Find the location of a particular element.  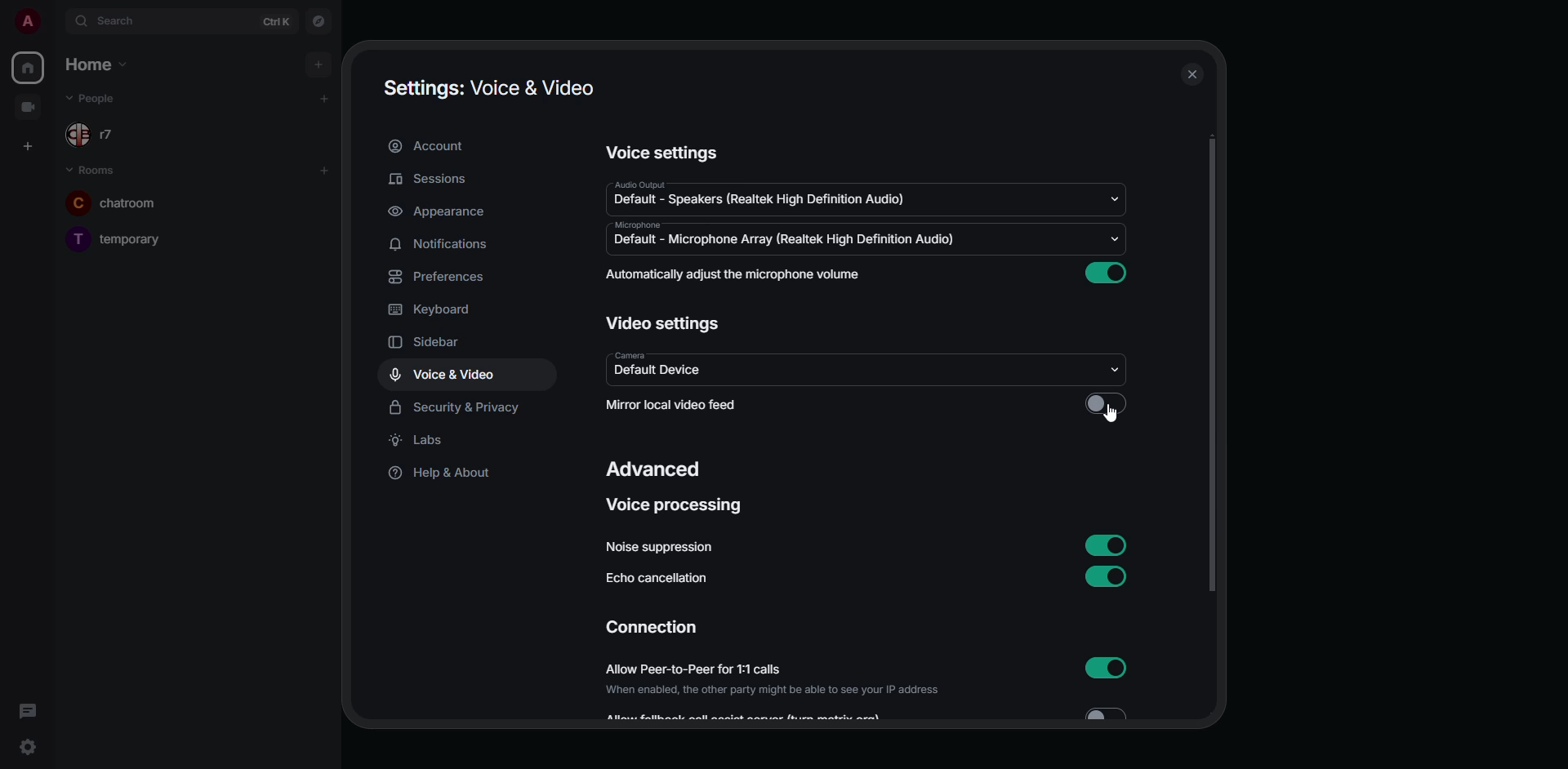

Toggle is located at coordinates (1104, 714).